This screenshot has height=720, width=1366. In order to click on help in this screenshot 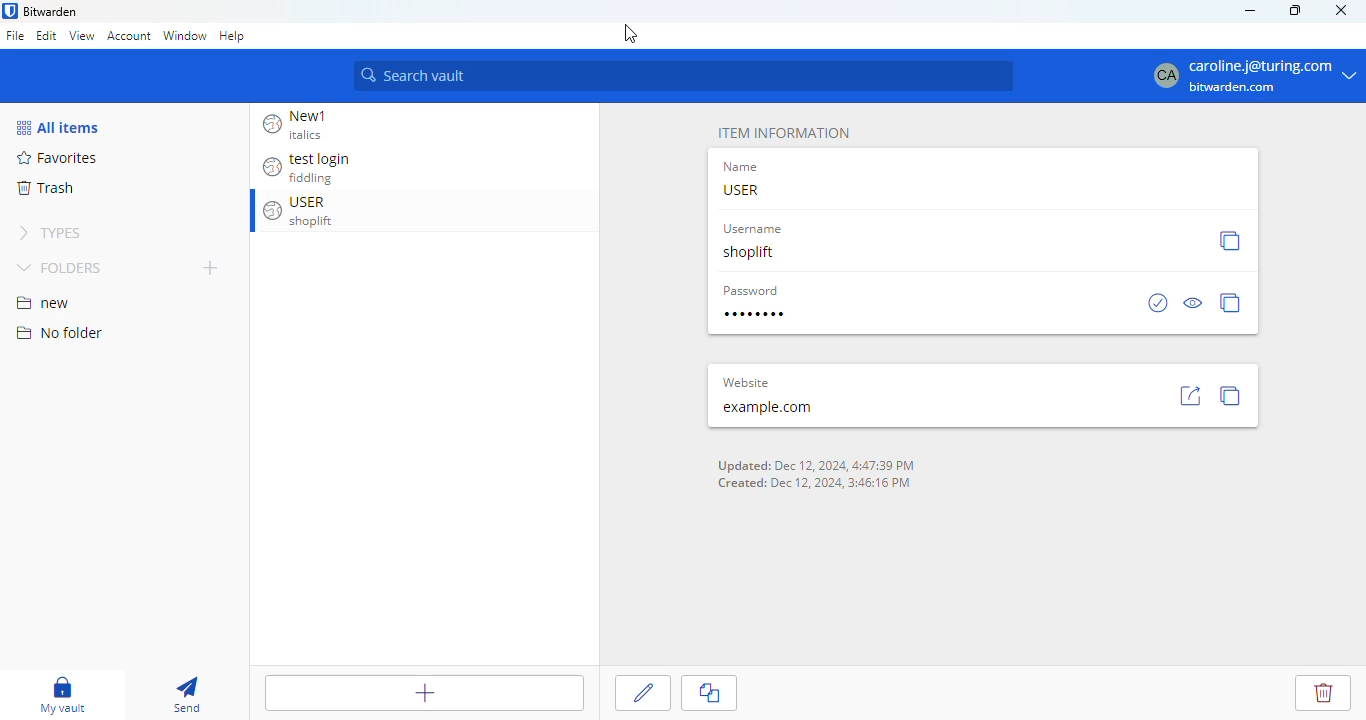, I will do `click(236, 35)`.